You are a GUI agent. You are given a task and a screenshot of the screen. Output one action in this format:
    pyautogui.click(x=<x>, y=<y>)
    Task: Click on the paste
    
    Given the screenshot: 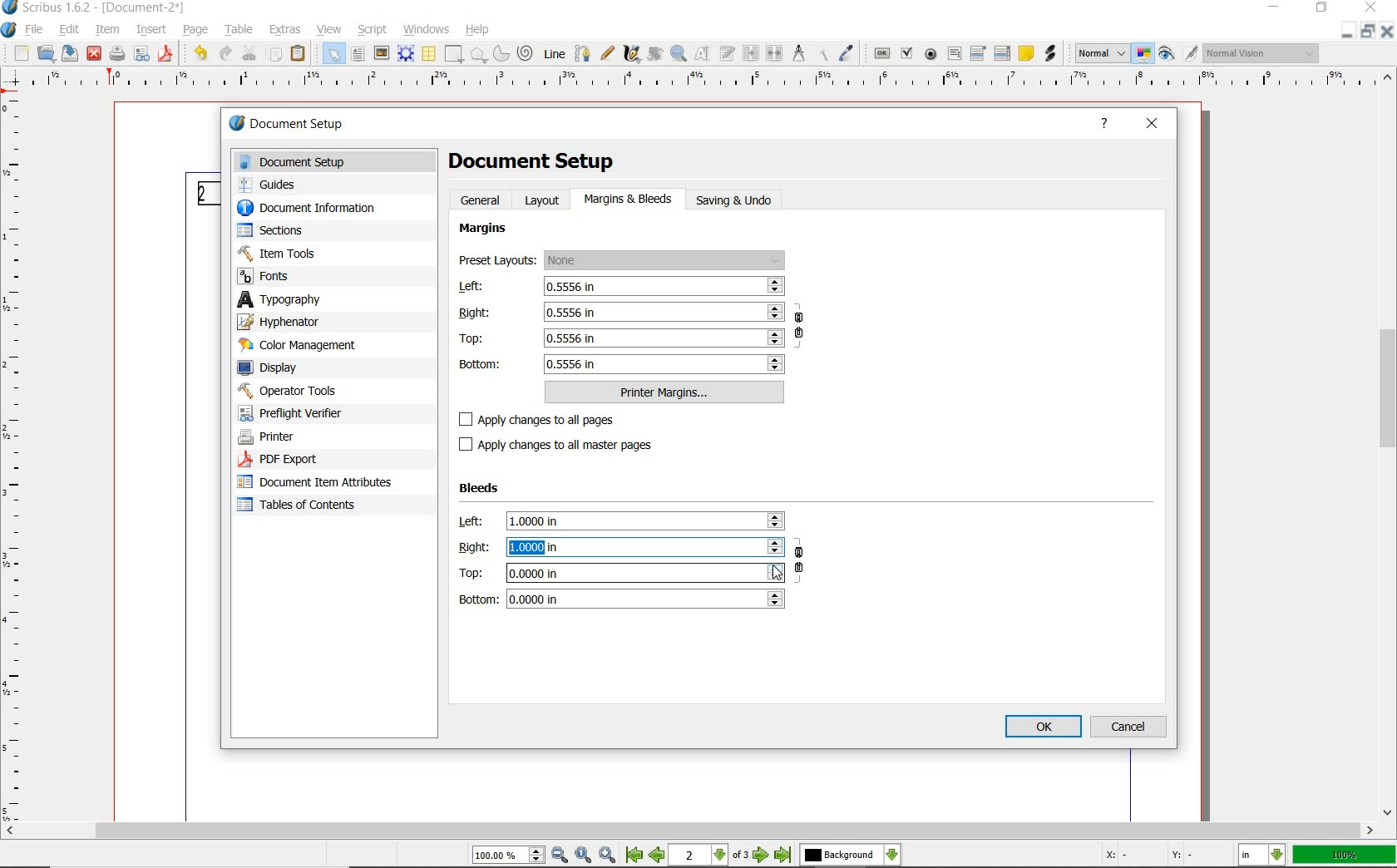 What is the action you would take?
    pyautogui.click(x=298, y=56)
    